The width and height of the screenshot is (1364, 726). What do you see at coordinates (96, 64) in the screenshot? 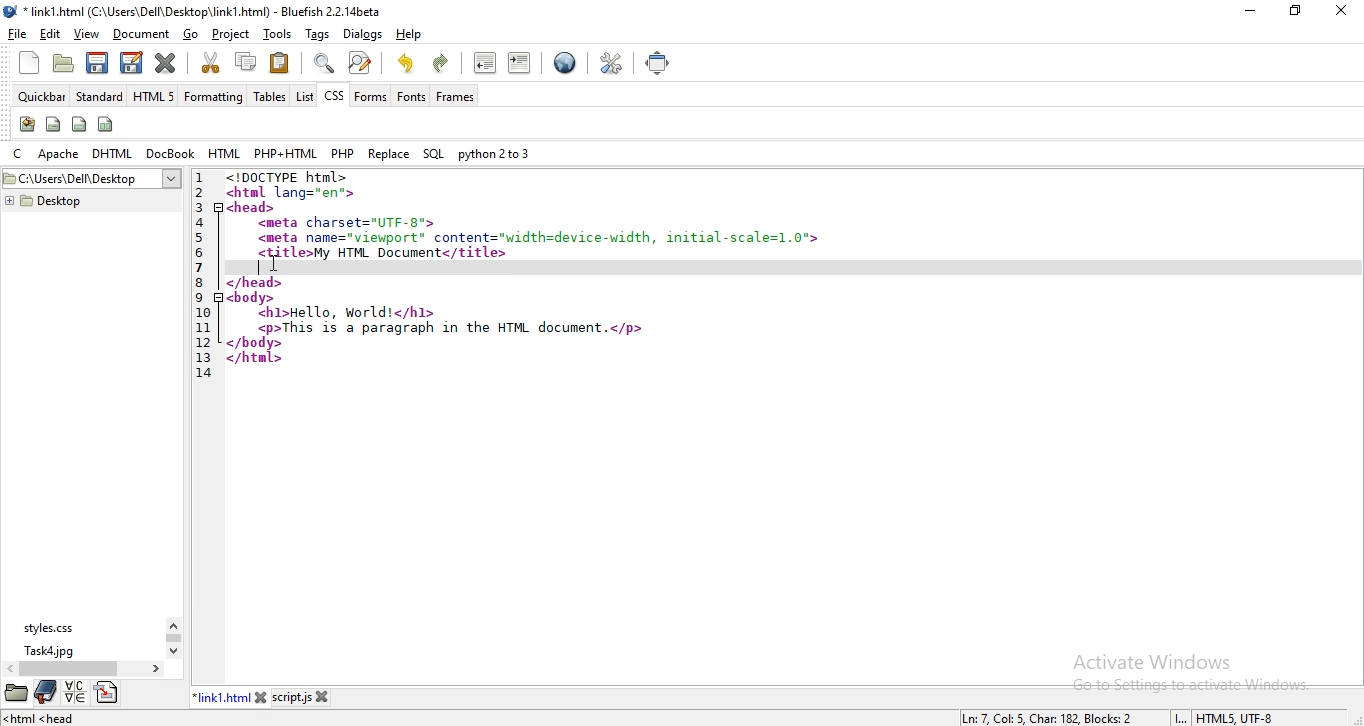
I see `save current file` at bounding box center [96, 64].